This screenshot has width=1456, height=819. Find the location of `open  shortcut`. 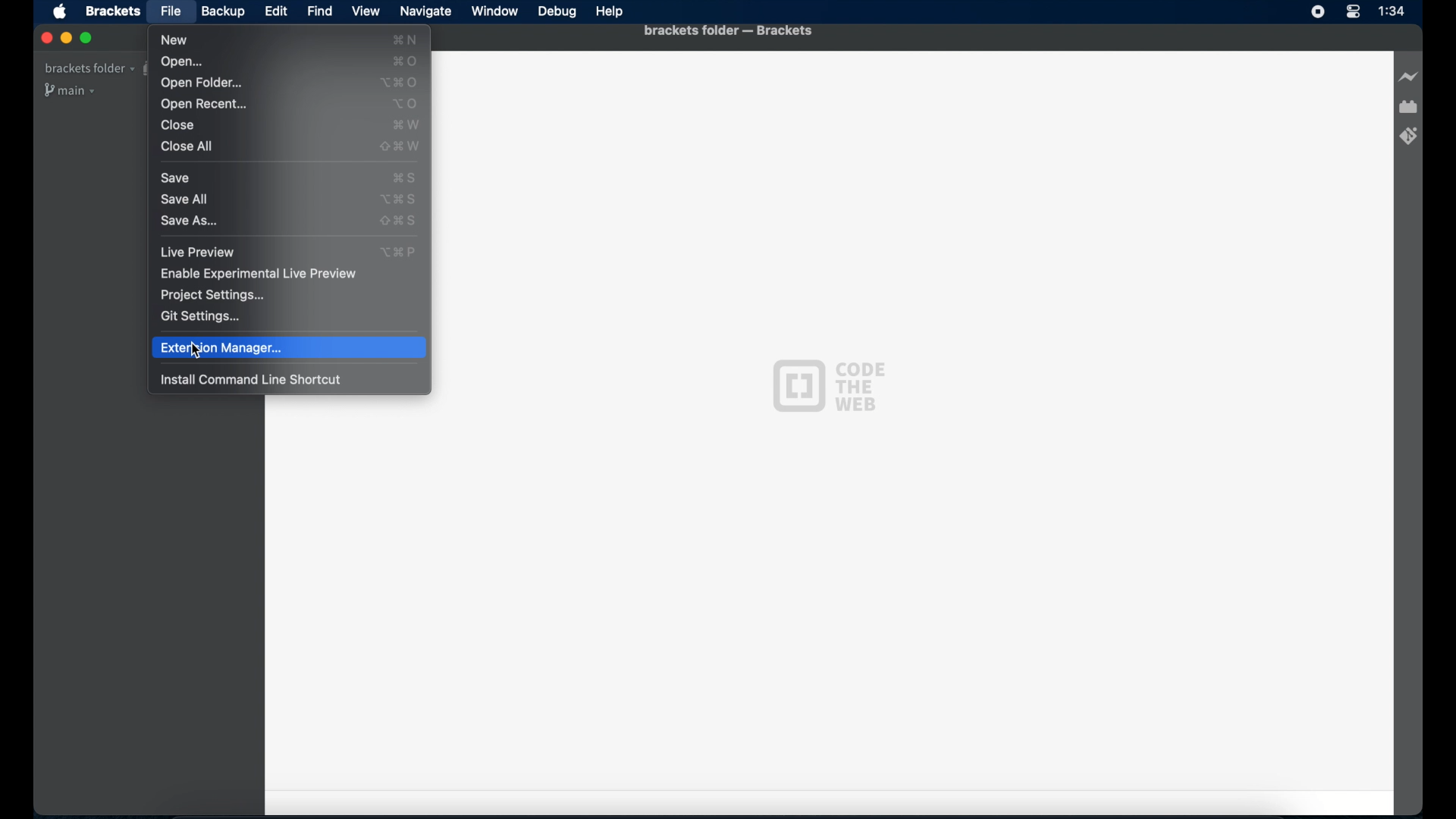

open  shortcut is located at coordinates (405, 103).